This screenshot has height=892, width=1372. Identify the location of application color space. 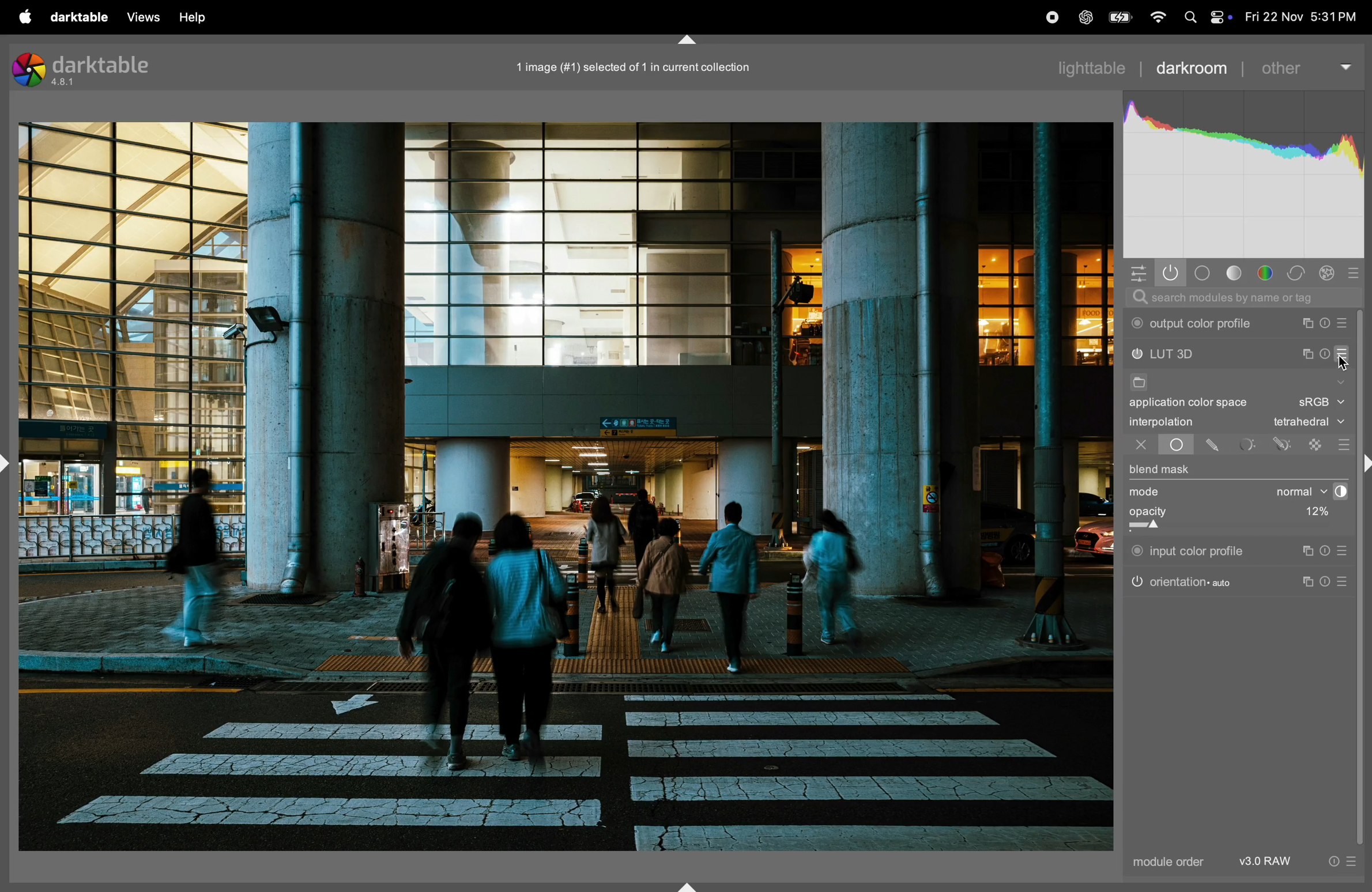
(1198, 405).